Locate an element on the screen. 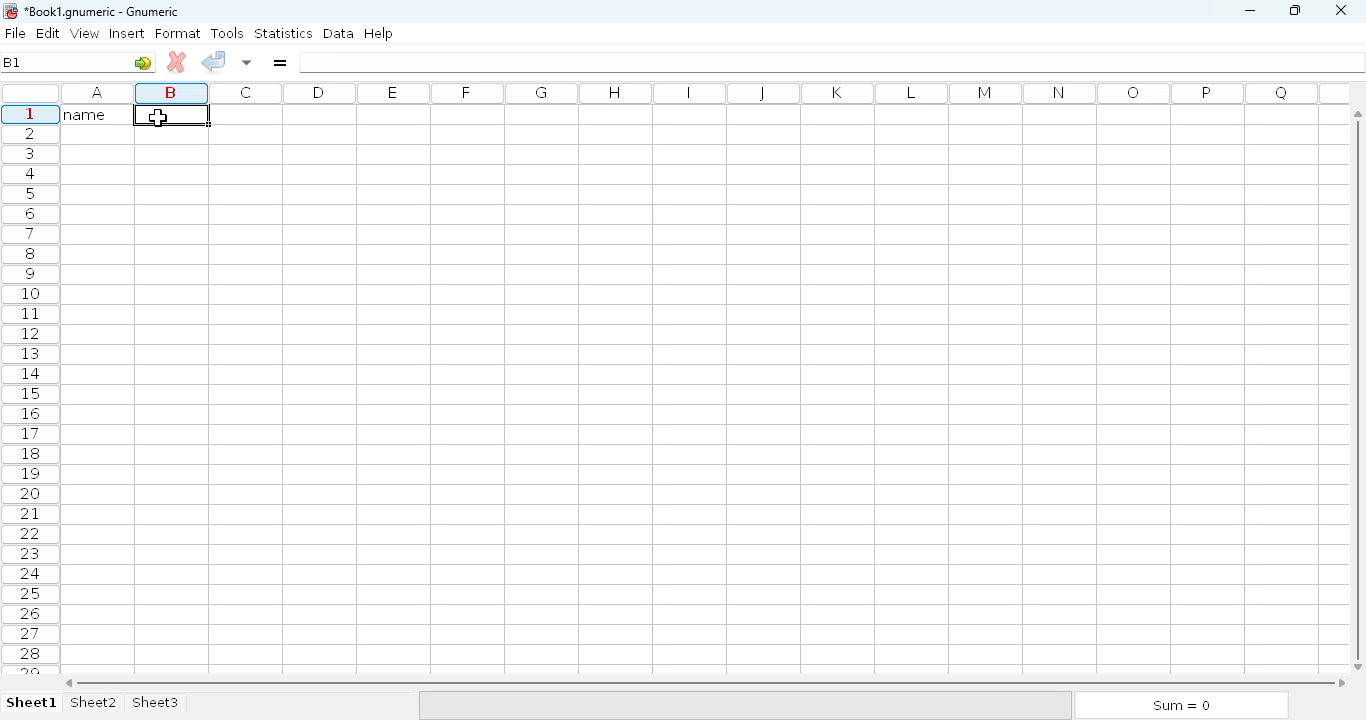 The height and width of the screenshot is (720, 1366). format is located at coordinates (178, 33).